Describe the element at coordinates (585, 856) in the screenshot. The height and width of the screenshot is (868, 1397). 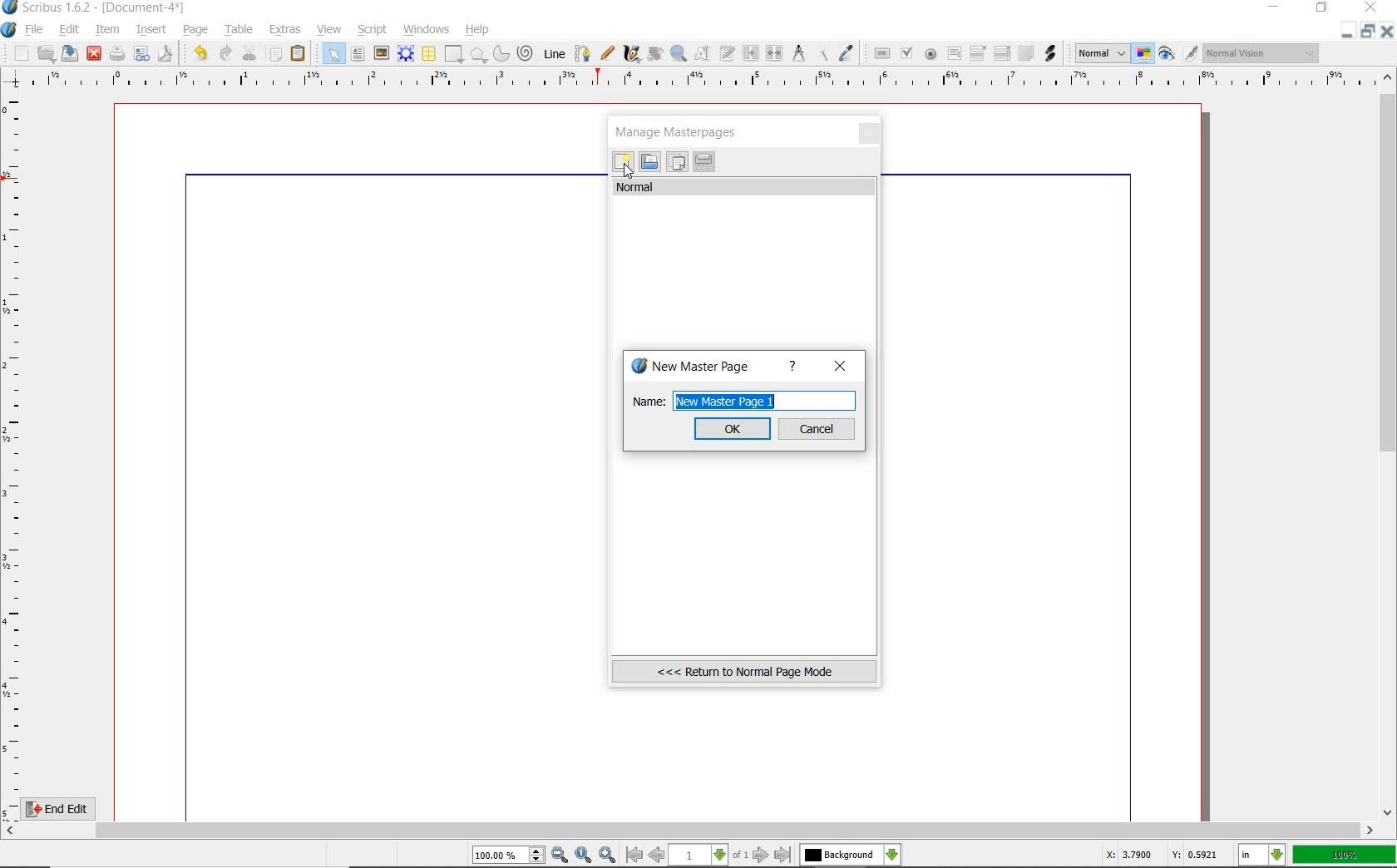
I see `zoom to 100%` at that location.